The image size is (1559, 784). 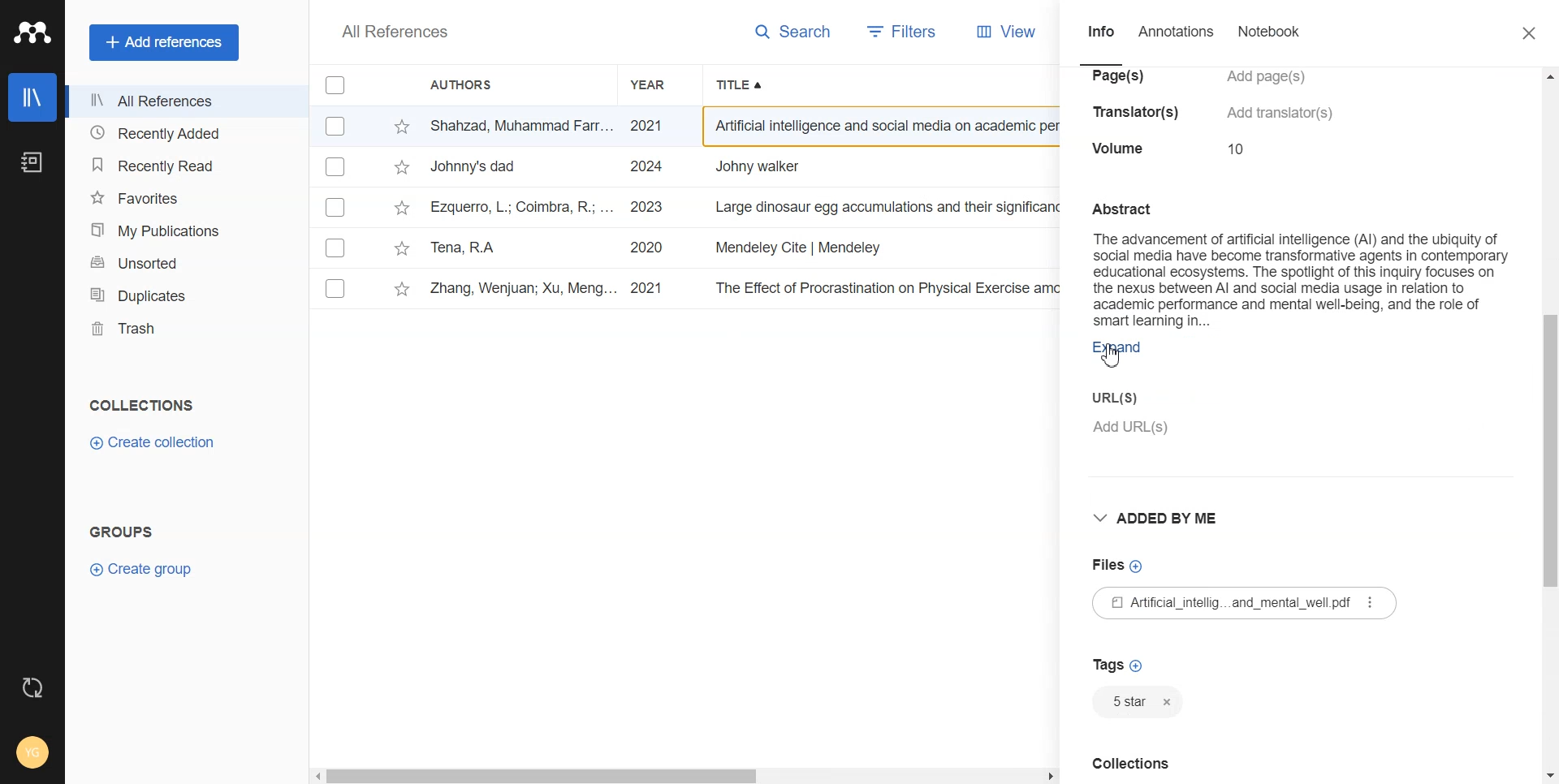 What do you see at coordinates (336, 288) in the screenshot?
I see `Checkmarks` at bounding box center [336, 288].